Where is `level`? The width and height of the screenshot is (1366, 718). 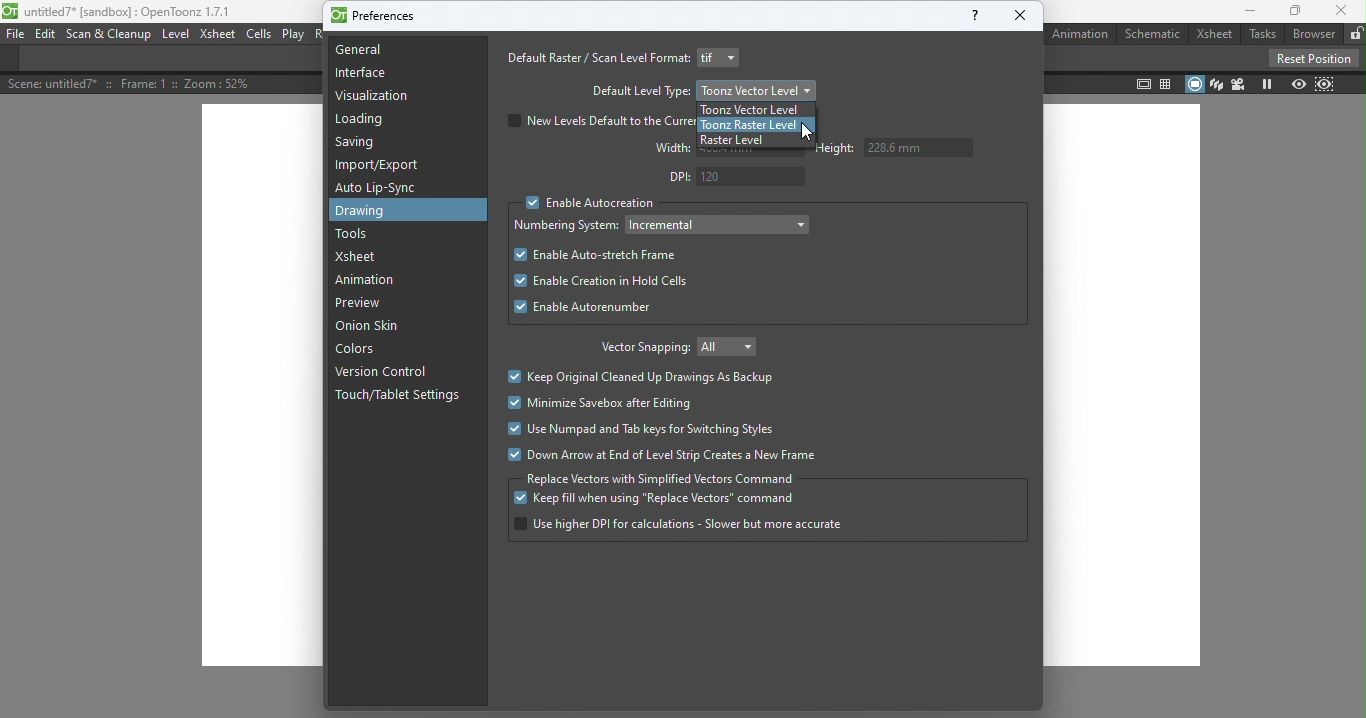
level is located at coordinates (178, 35).